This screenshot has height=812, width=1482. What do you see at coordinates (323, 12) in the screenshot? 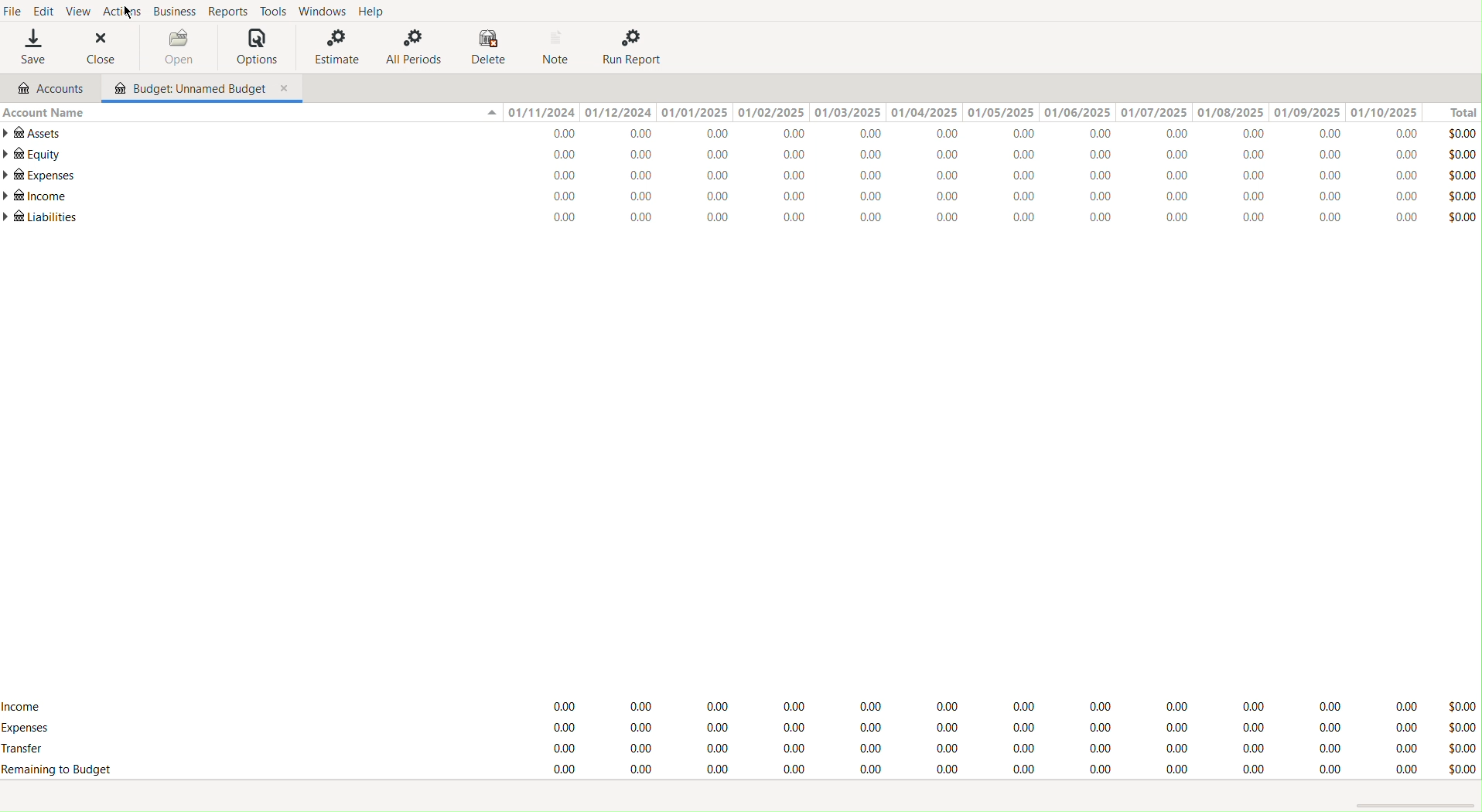
I see `Windows` at bounding box center [323, 12].